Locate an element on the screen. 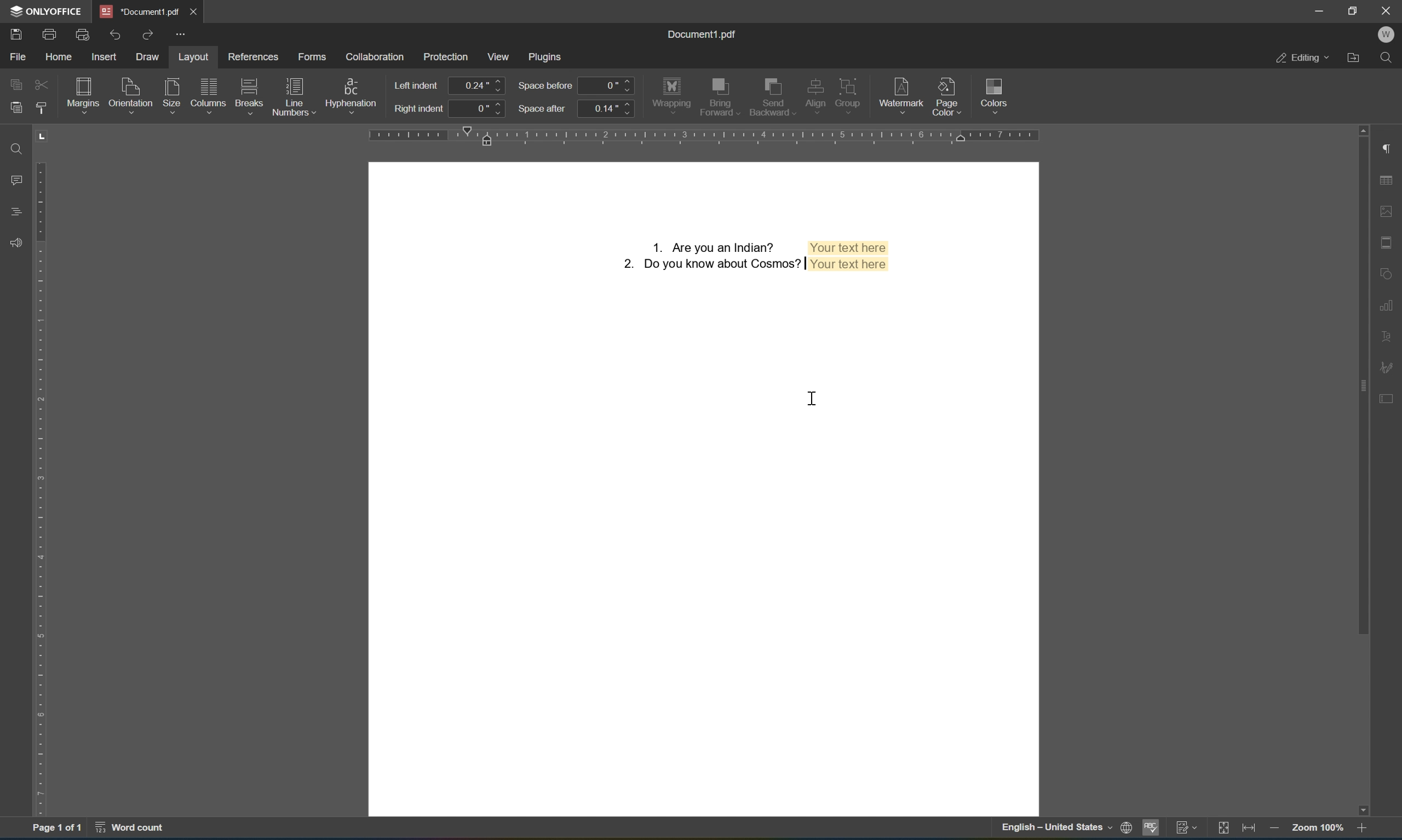 The image size is (1402, 840). colors is located at coordinates (994, 94).